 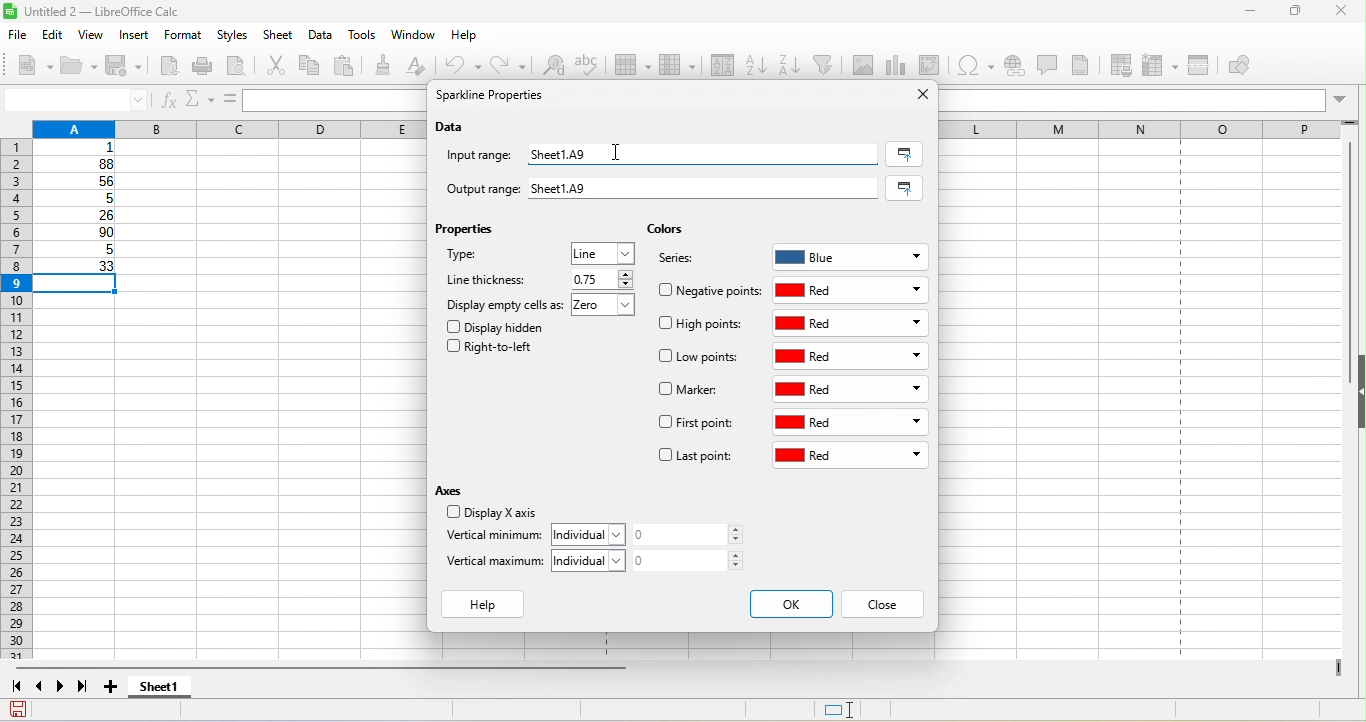 What do you see at coordinates (853, 357) in the screenshot?
I see `red` at bounding box center [853, 357].